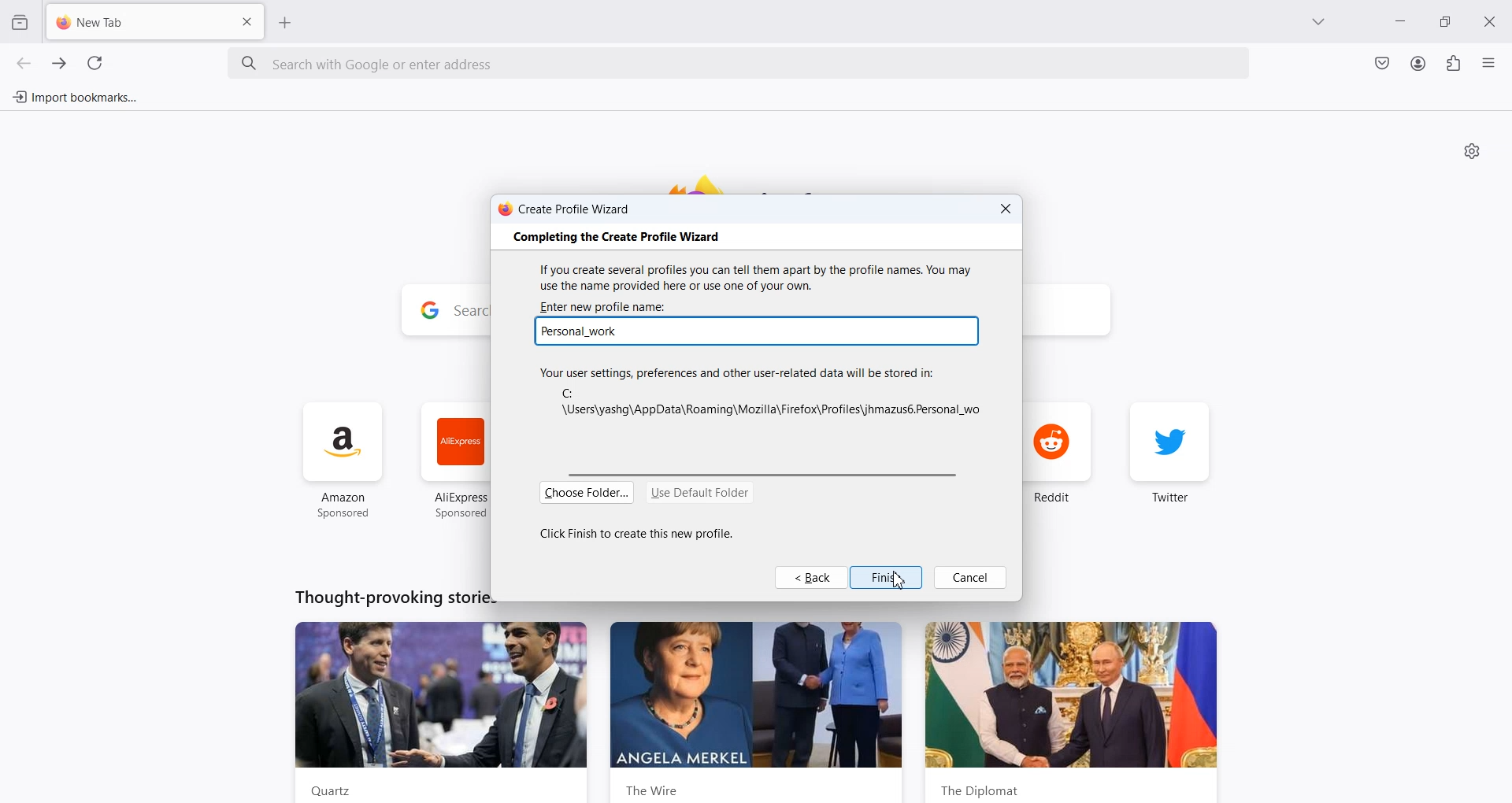 The width and height of the screenshot is (1512, 803). Describe the element at coordinates (248, 20) in the screenshot. I see `Close Tab` at that location.